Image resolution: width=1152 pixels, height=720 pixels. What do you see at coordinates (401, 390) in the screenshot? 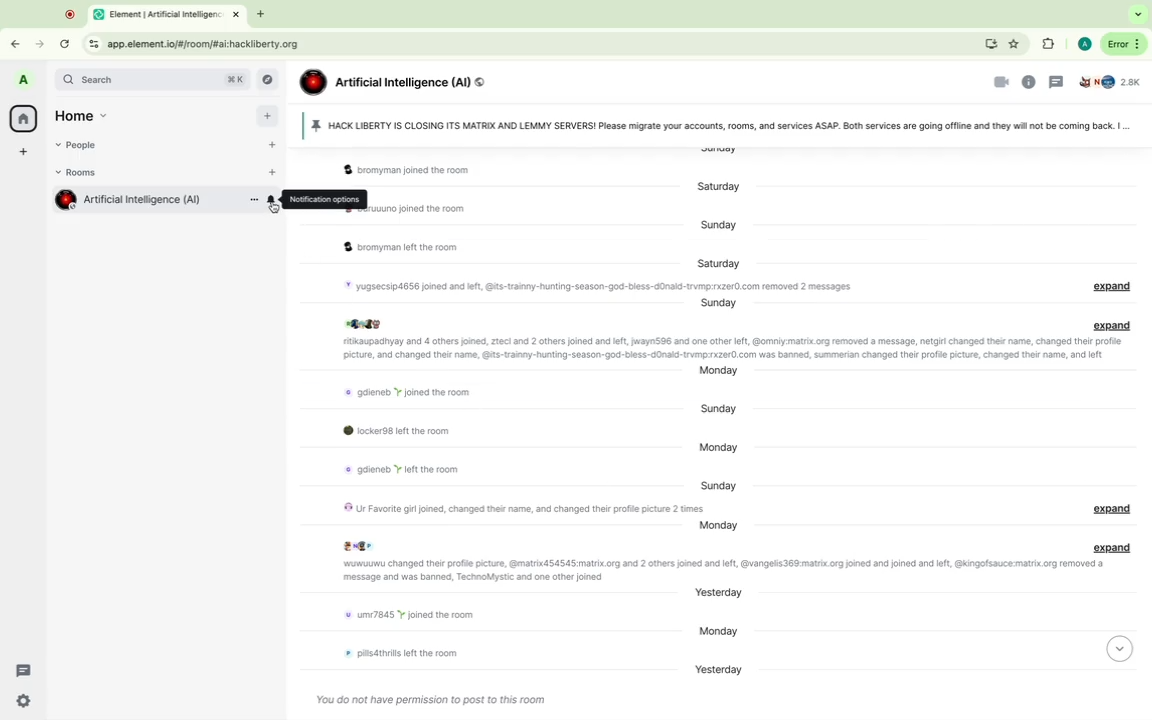
I see `Message` at bounding box center [401, 390].